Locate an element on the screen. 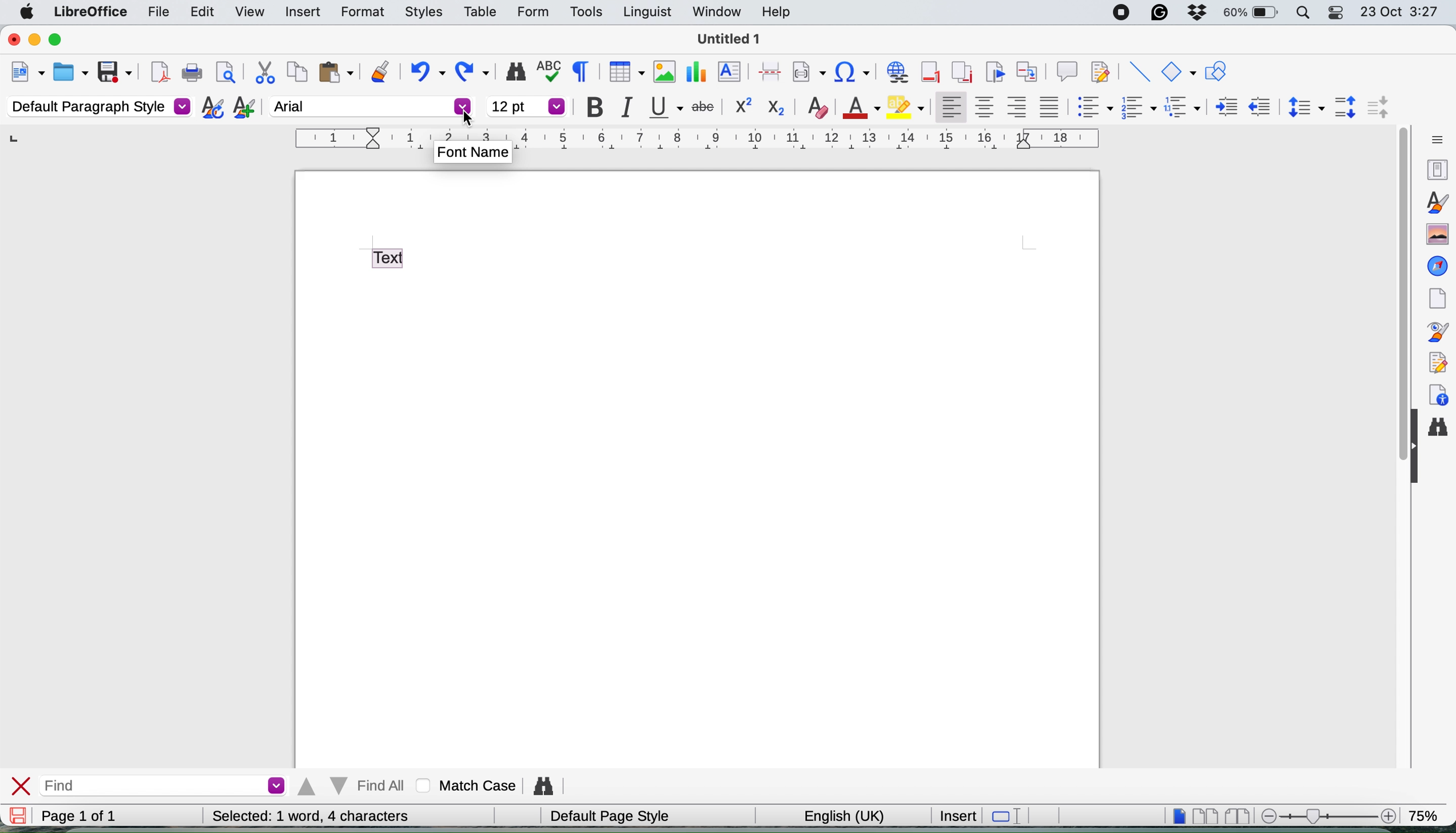 The image size is (1456, 833). insert cross reference is located at coordinates (1029, 73).